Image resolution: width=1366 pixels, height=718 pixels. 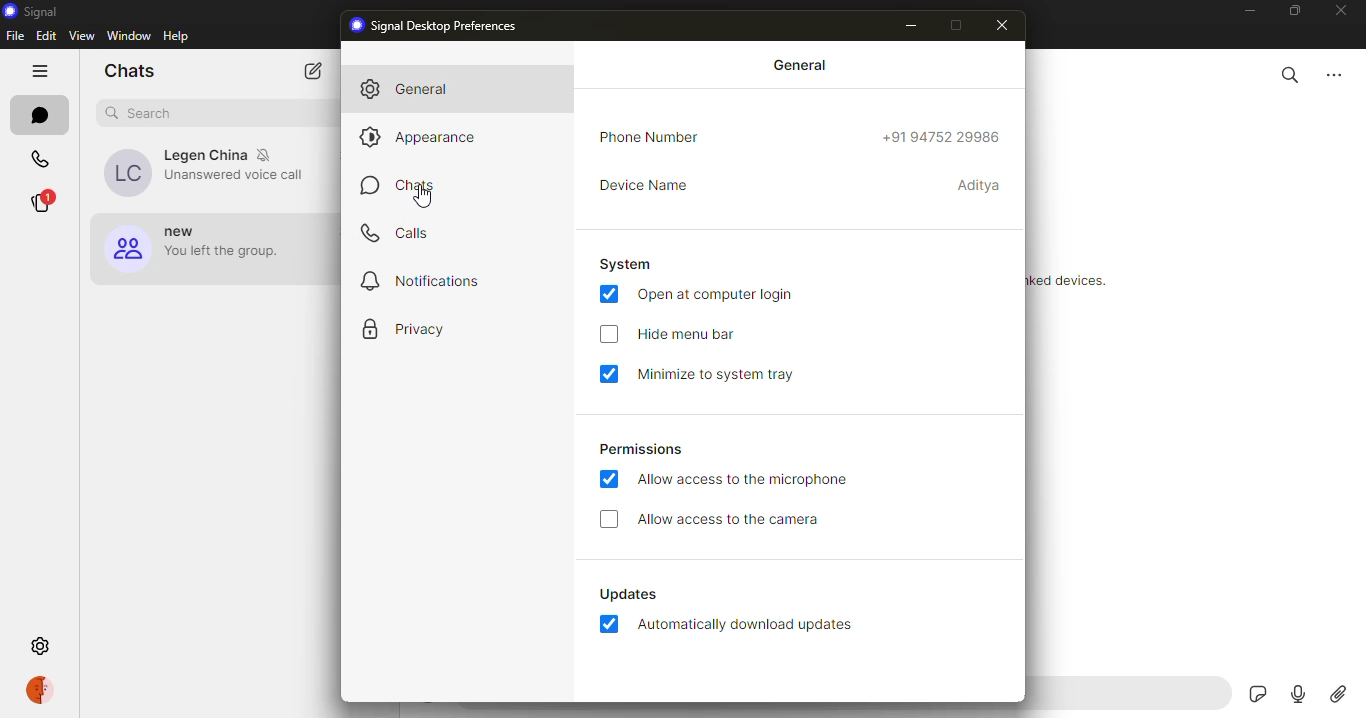 What do you see at coordinates (608, 625) in the screenshot?
I see `enabled` at bounding box center [608, 625].